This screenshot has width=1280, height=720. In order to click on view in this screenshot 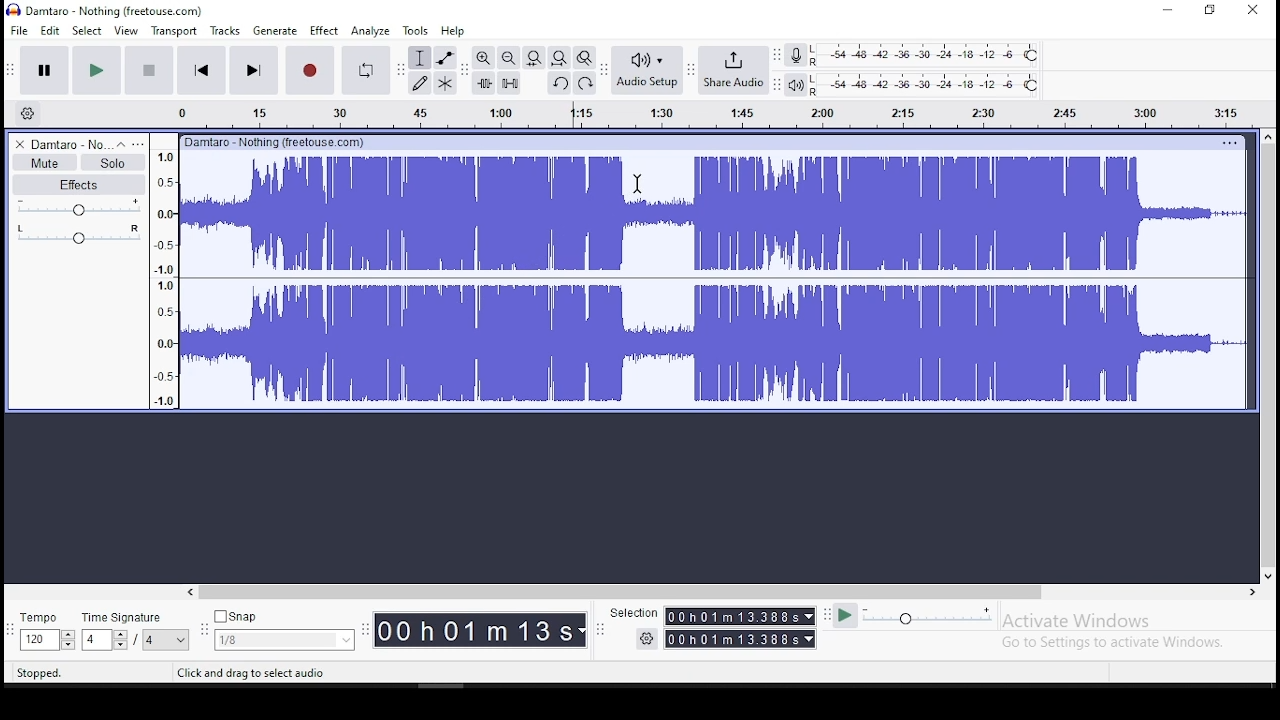, I will do `click(125, 29)`.